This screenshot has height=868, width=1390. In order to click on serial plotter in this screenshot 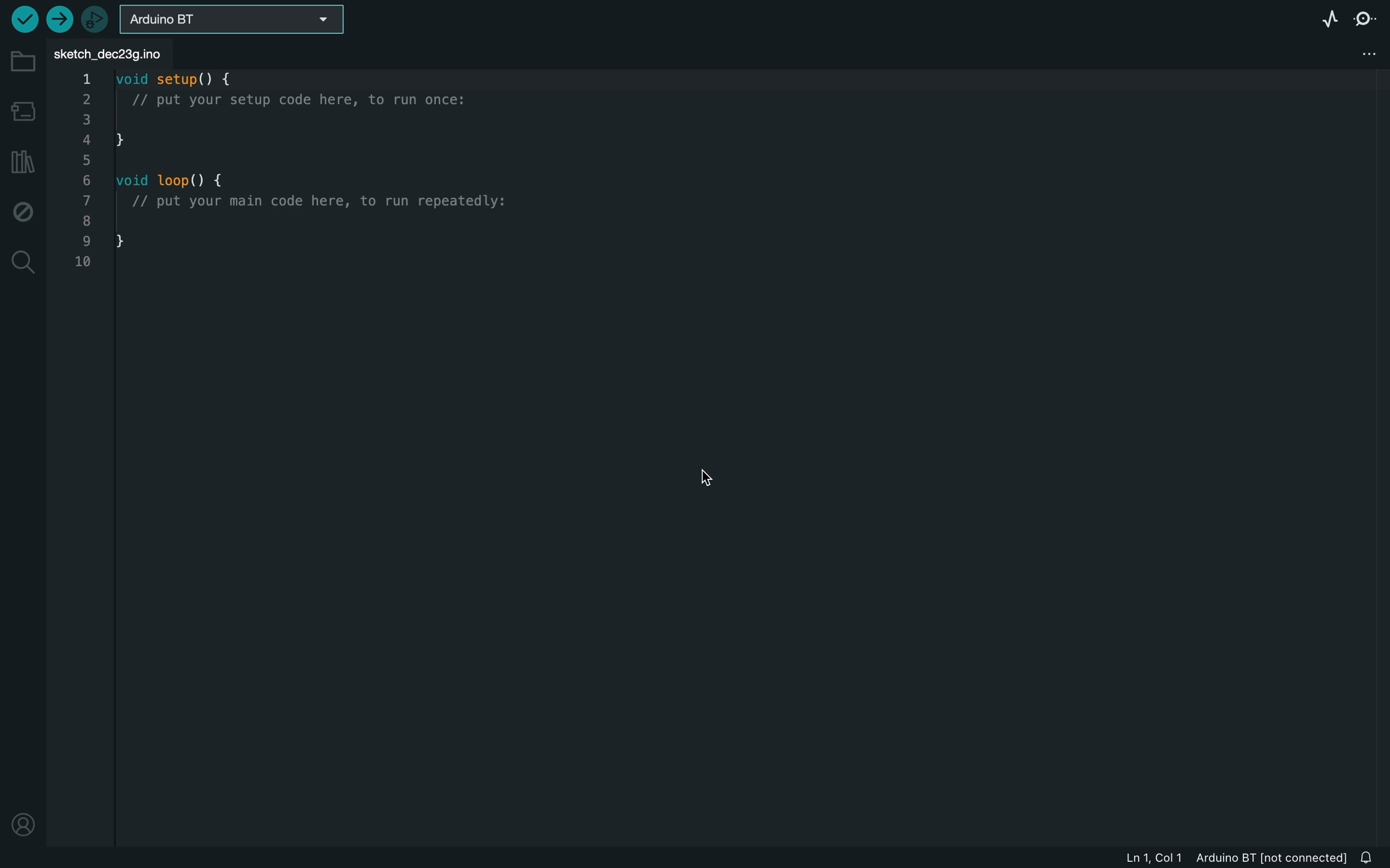, I will do `click(1323, 18)`.